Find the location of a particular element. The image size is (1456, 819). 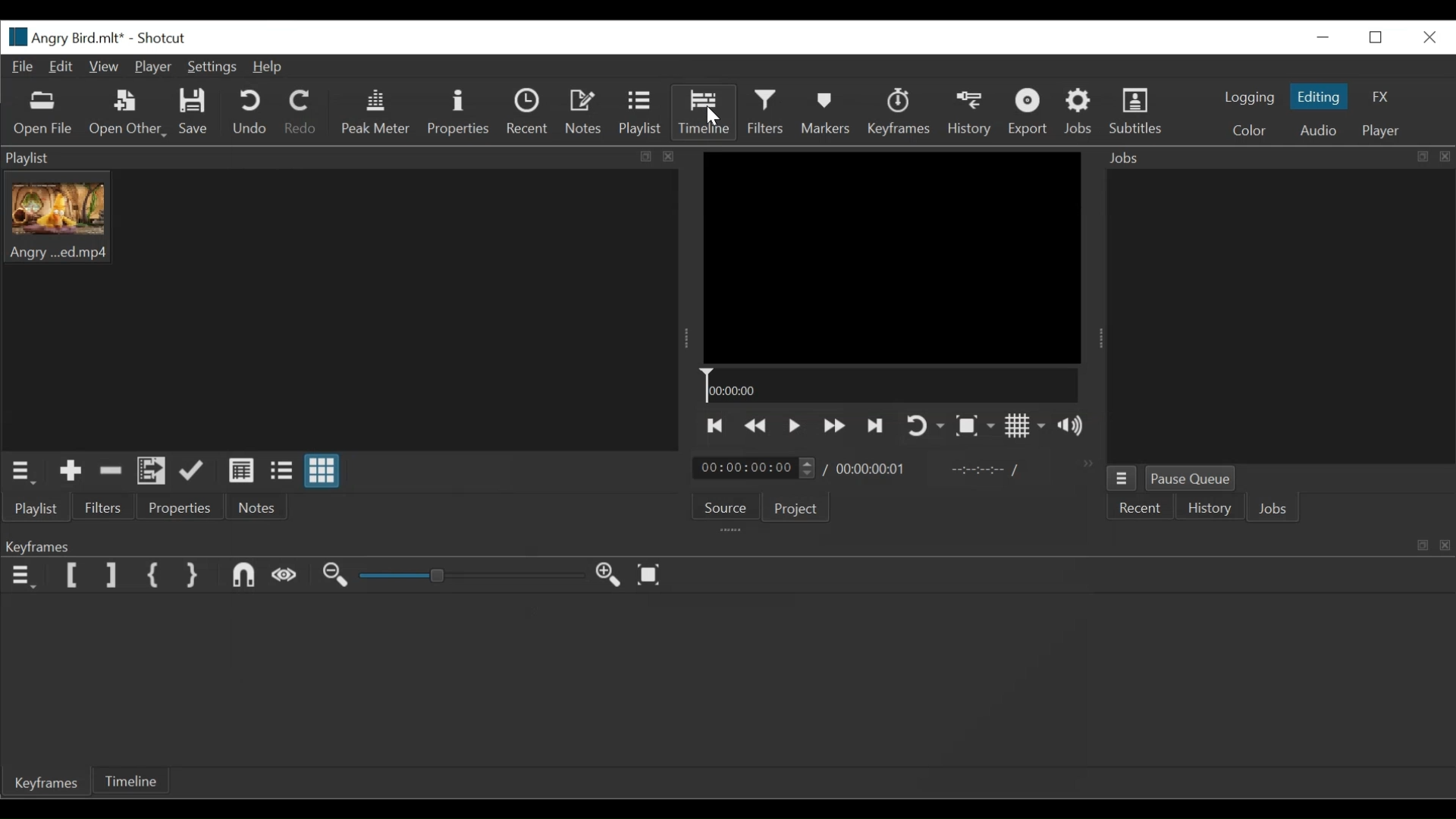

time is located at coordinates (876, 469).